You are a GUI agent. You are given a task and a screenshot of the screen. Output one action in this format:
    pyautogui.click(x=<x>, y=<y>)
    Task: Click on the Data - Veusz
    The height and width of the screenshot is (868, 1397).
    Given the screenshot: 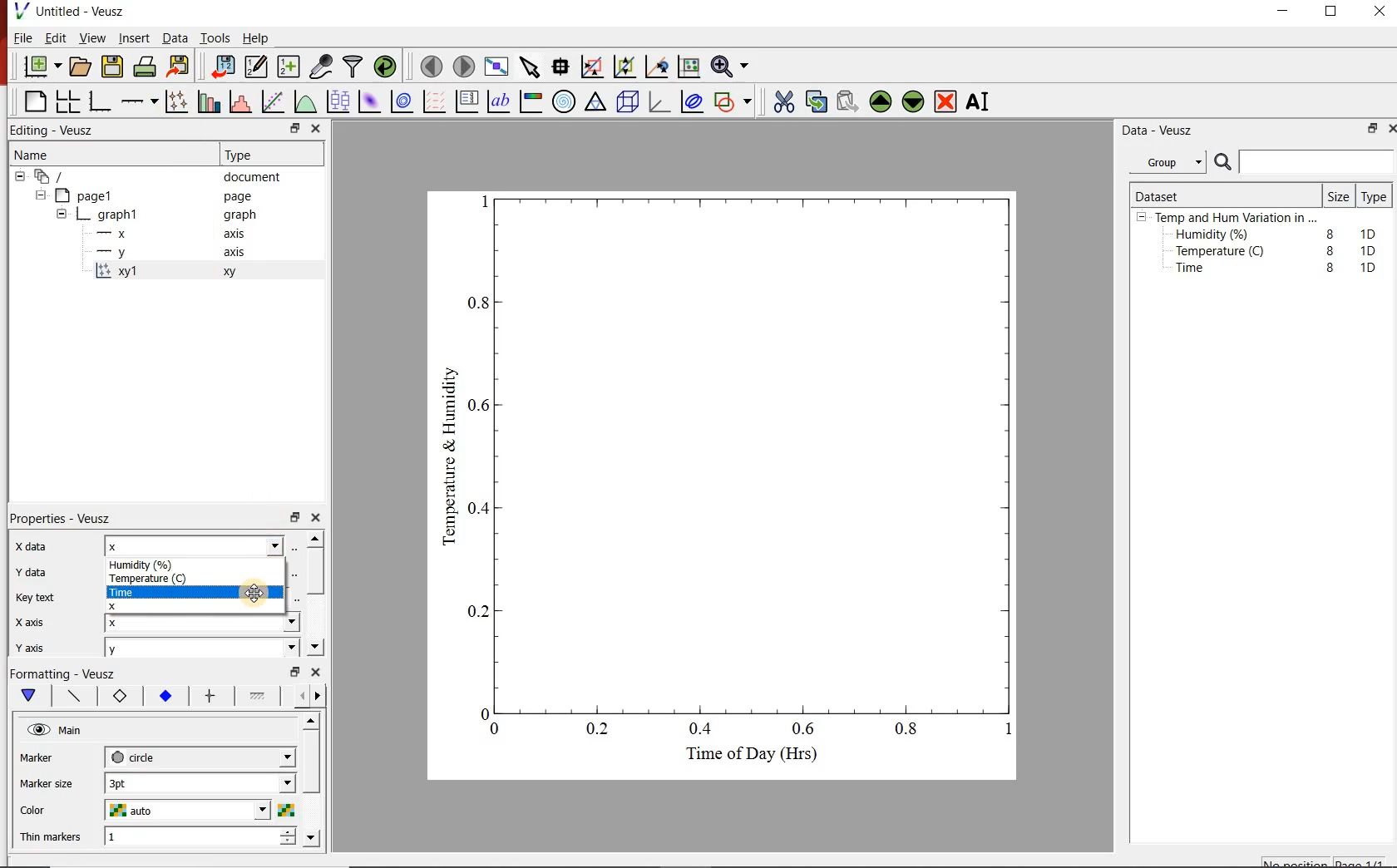 What is the action you would take?
    pyautogui.click(x=1161, y=131)
    